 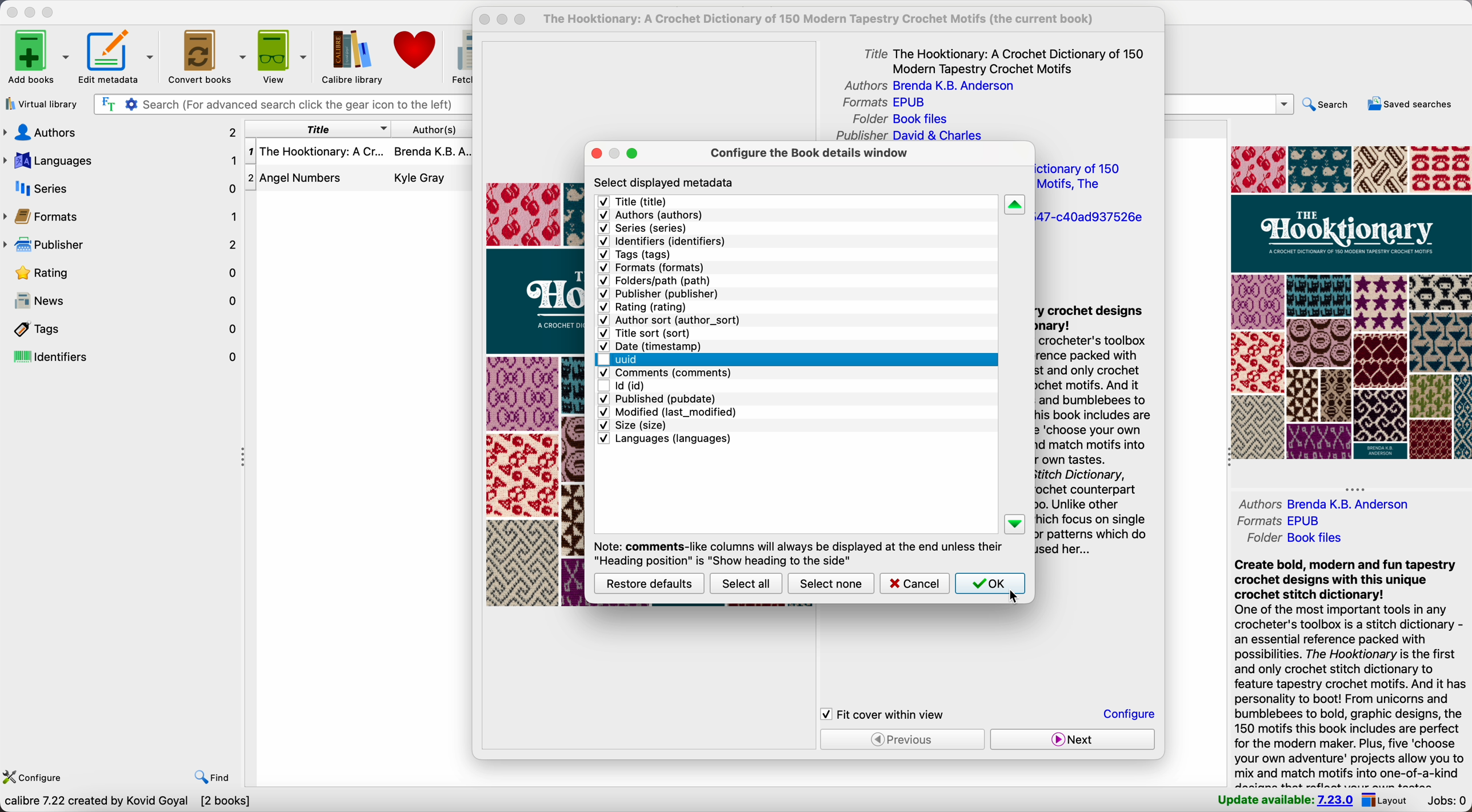 I want to click on title, so click(x=1006, y=59).